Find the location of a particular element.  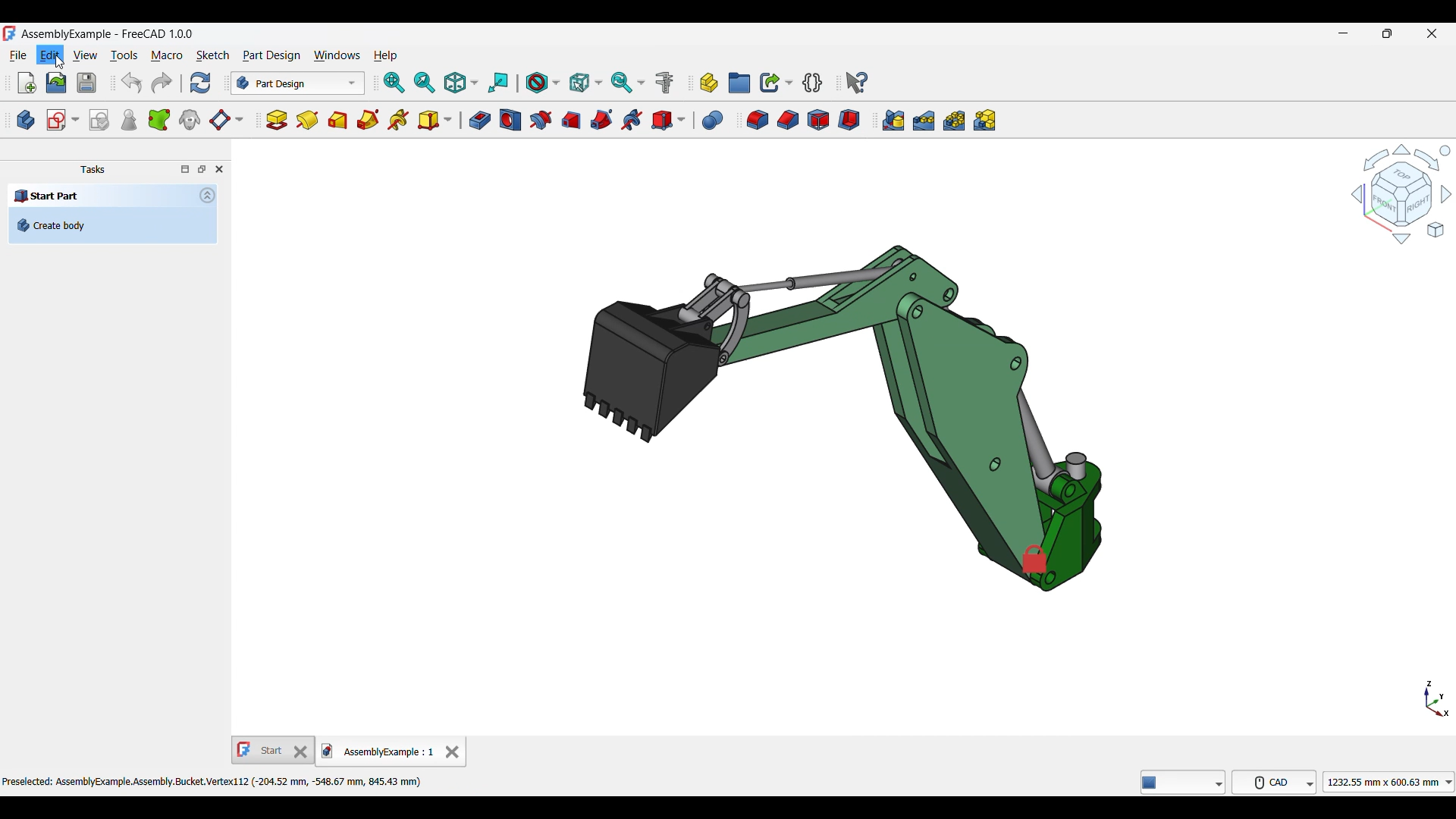

Groove is located at coordinates (541, 121).